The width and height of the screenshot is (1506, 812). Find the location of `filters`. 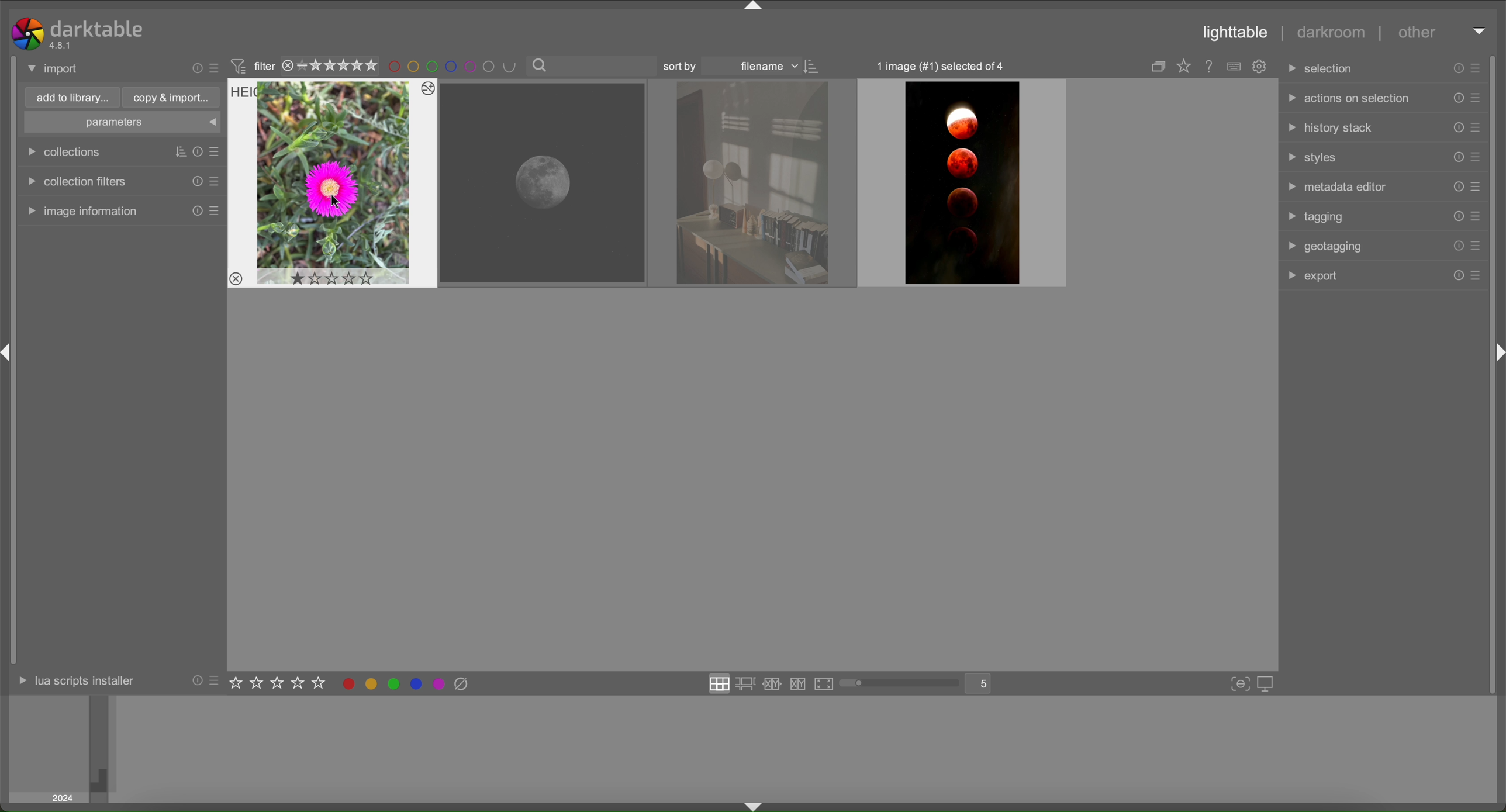

filters is located at coordinates (174, 151).